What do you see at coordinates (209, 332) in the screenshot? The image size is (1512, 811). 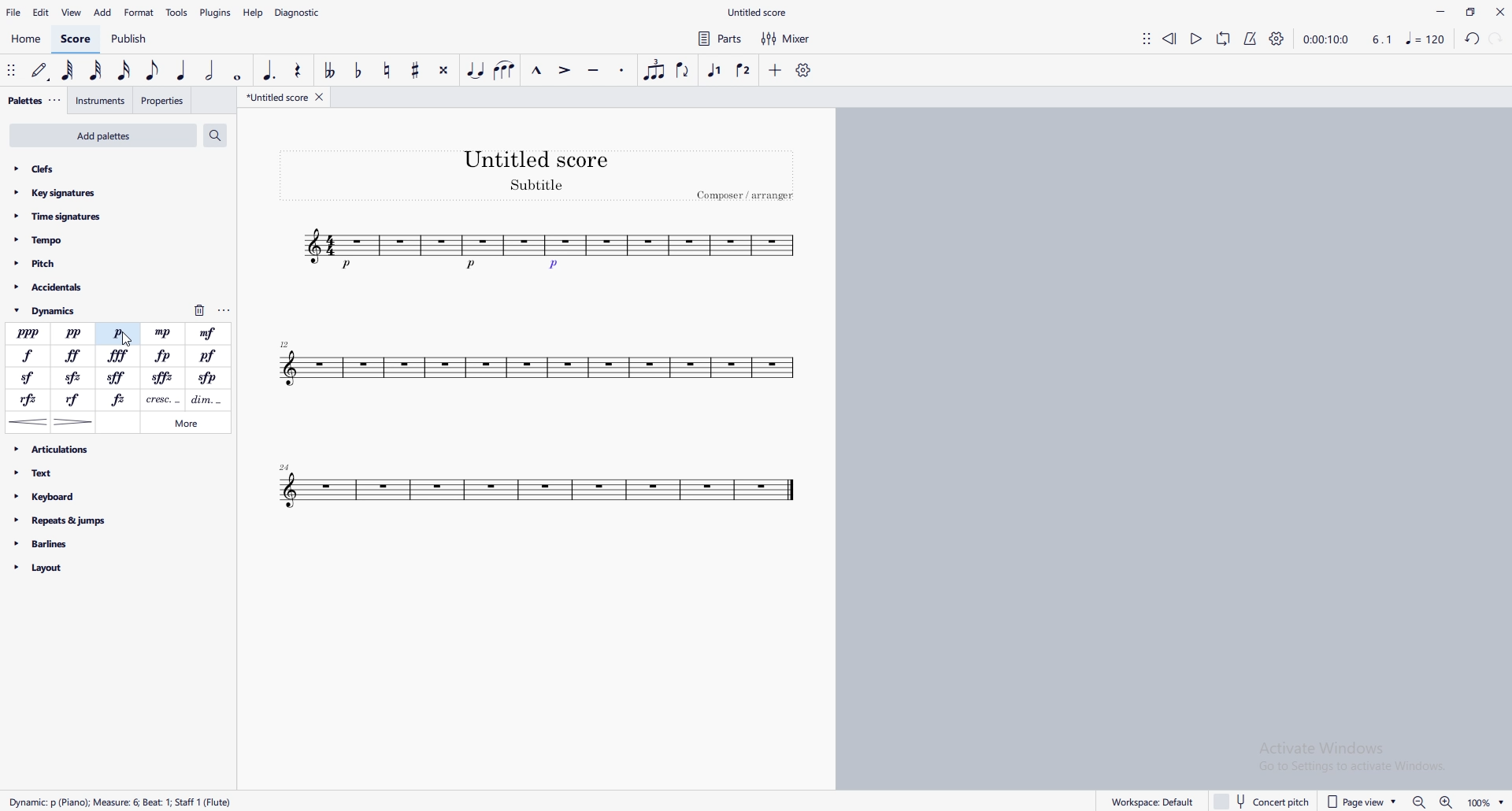 I see `mezzoforte` at bounding box center [209, 332].